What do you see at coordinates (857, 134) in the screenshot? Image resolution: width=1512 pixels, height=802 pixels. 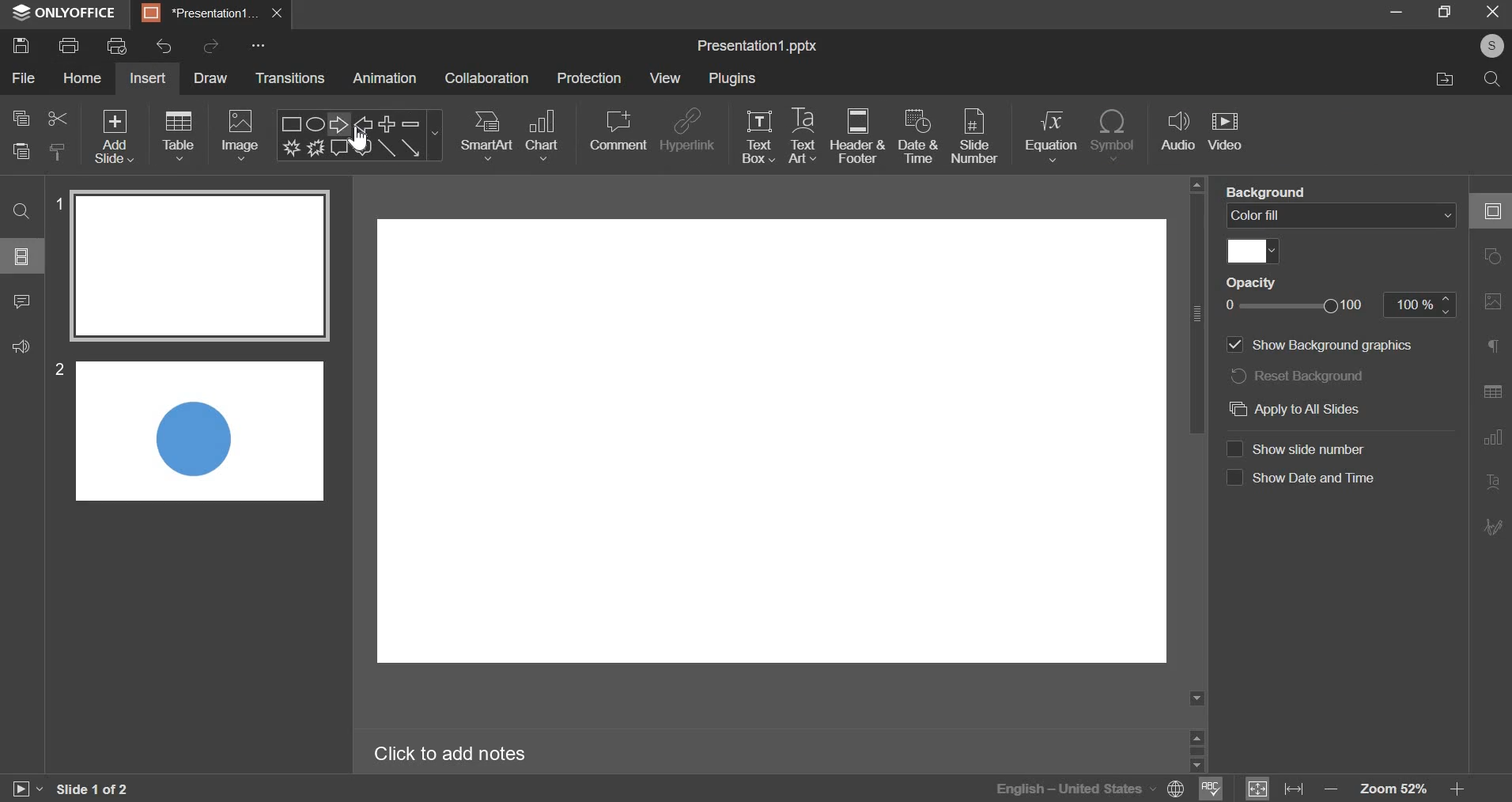 I see `header & footer` at bounding box center [857, 134].